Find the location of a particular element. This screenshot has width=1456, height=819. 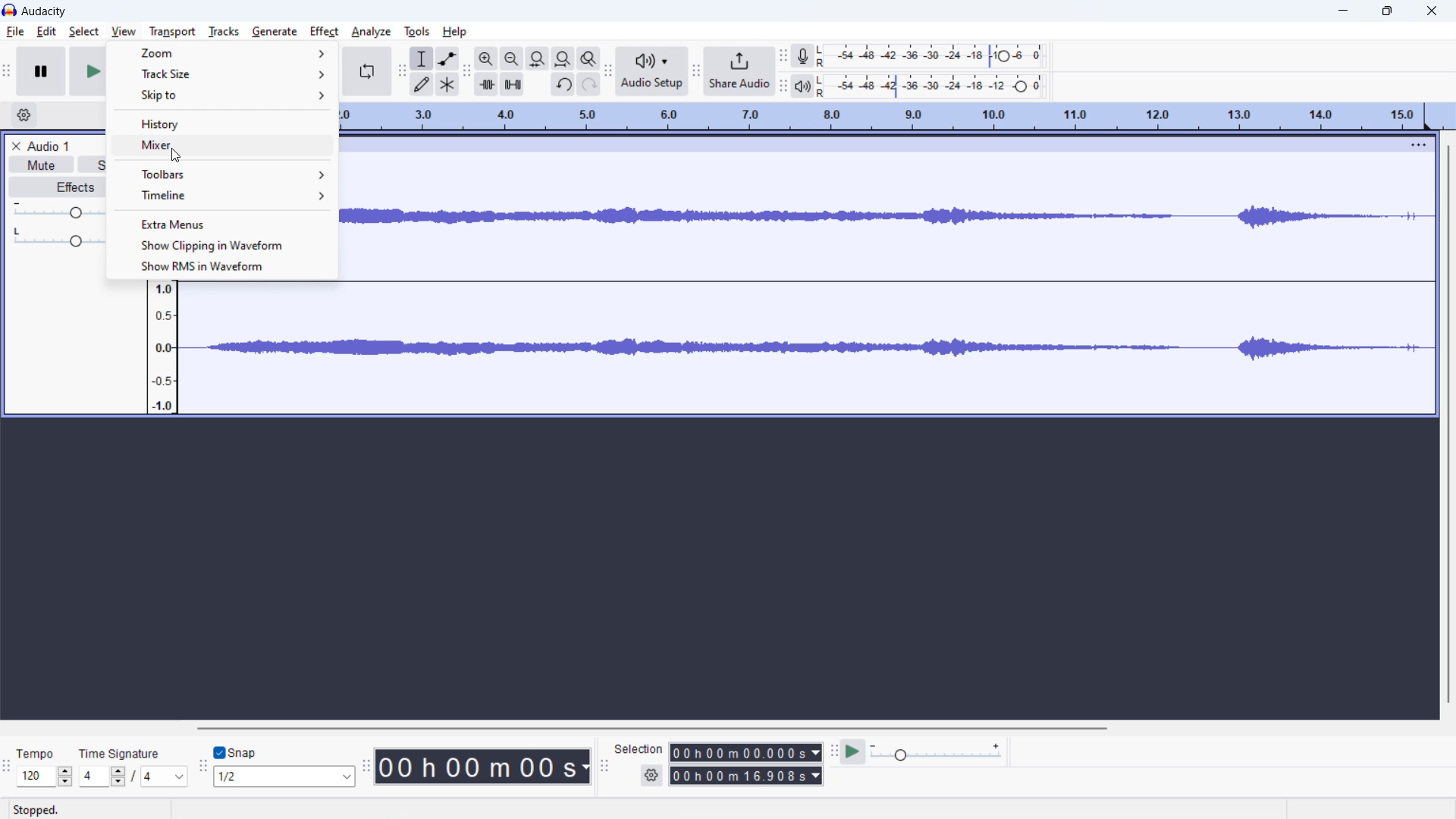

set time signature is located at coordinates (133, 776).